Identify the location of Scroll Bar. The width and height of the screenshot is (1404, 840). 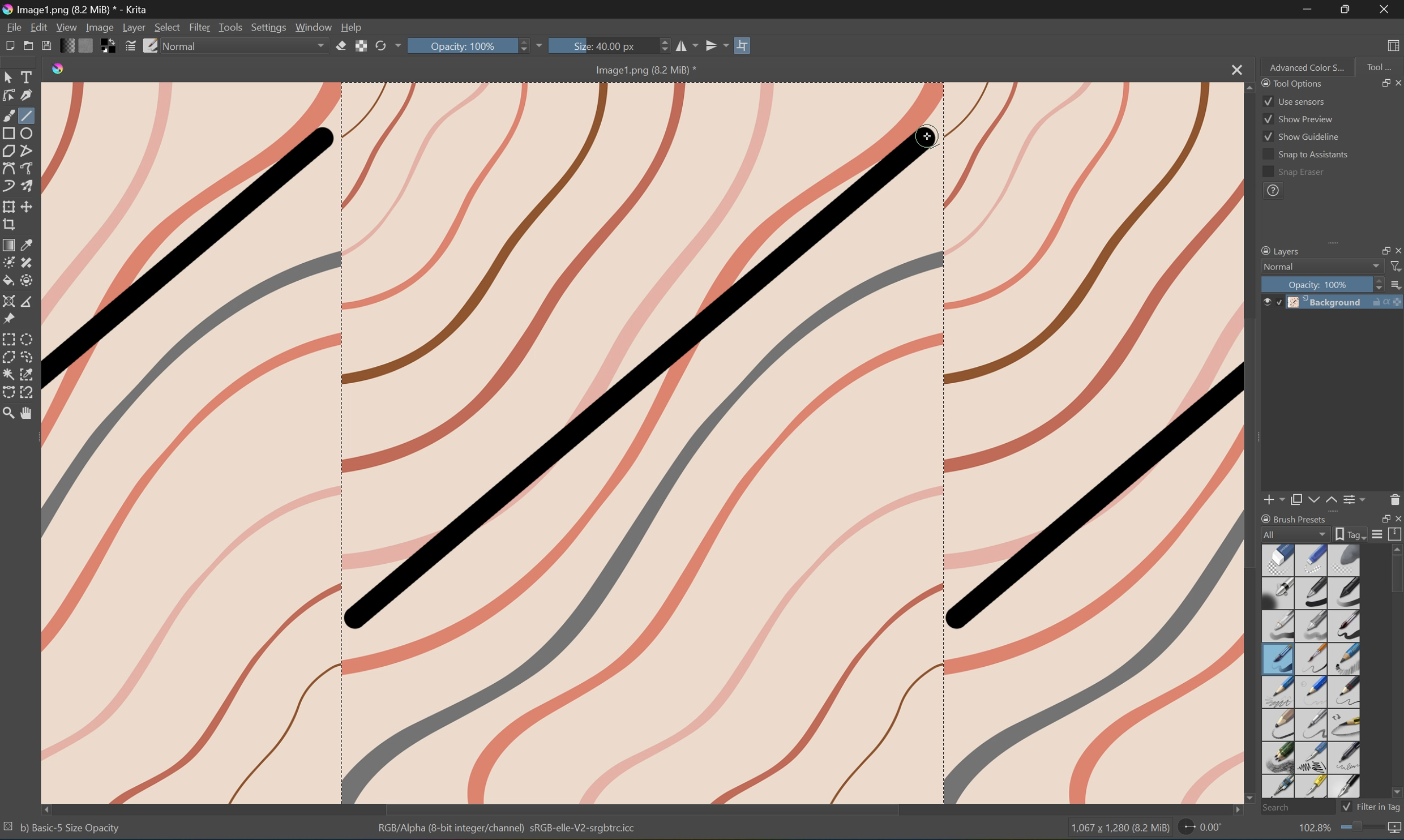
(1326, 233).